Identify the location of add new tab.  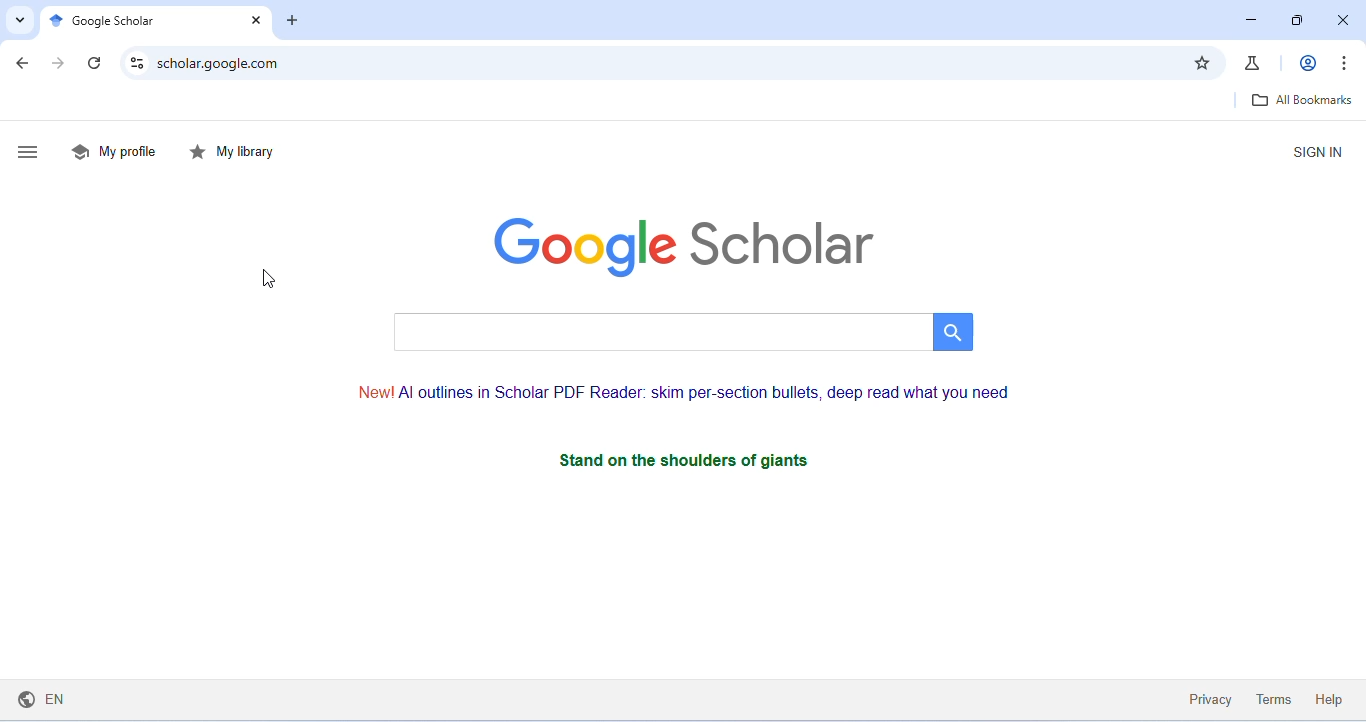
(294, 22).